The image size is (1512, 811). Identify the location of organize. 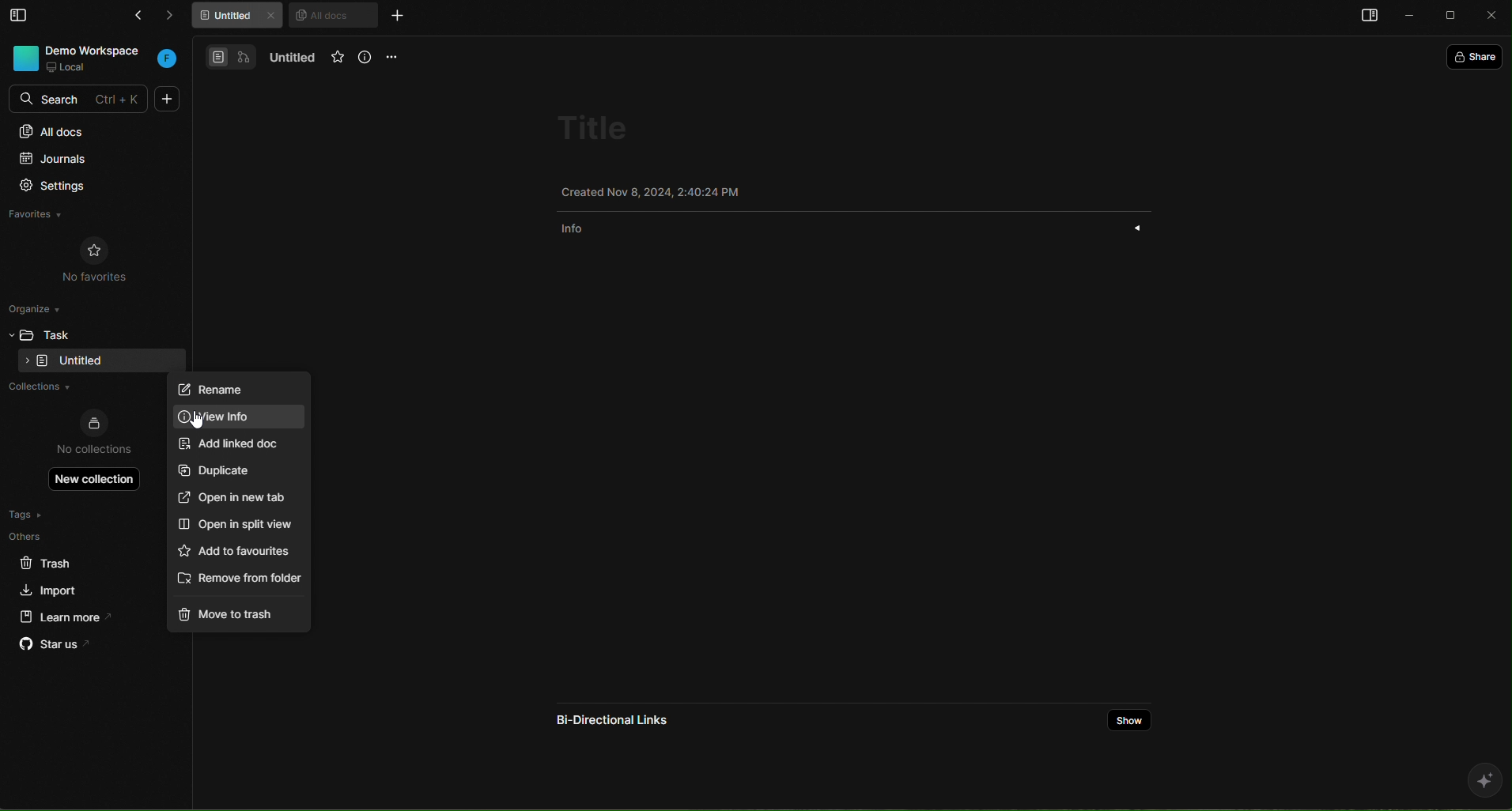
(40, 307).